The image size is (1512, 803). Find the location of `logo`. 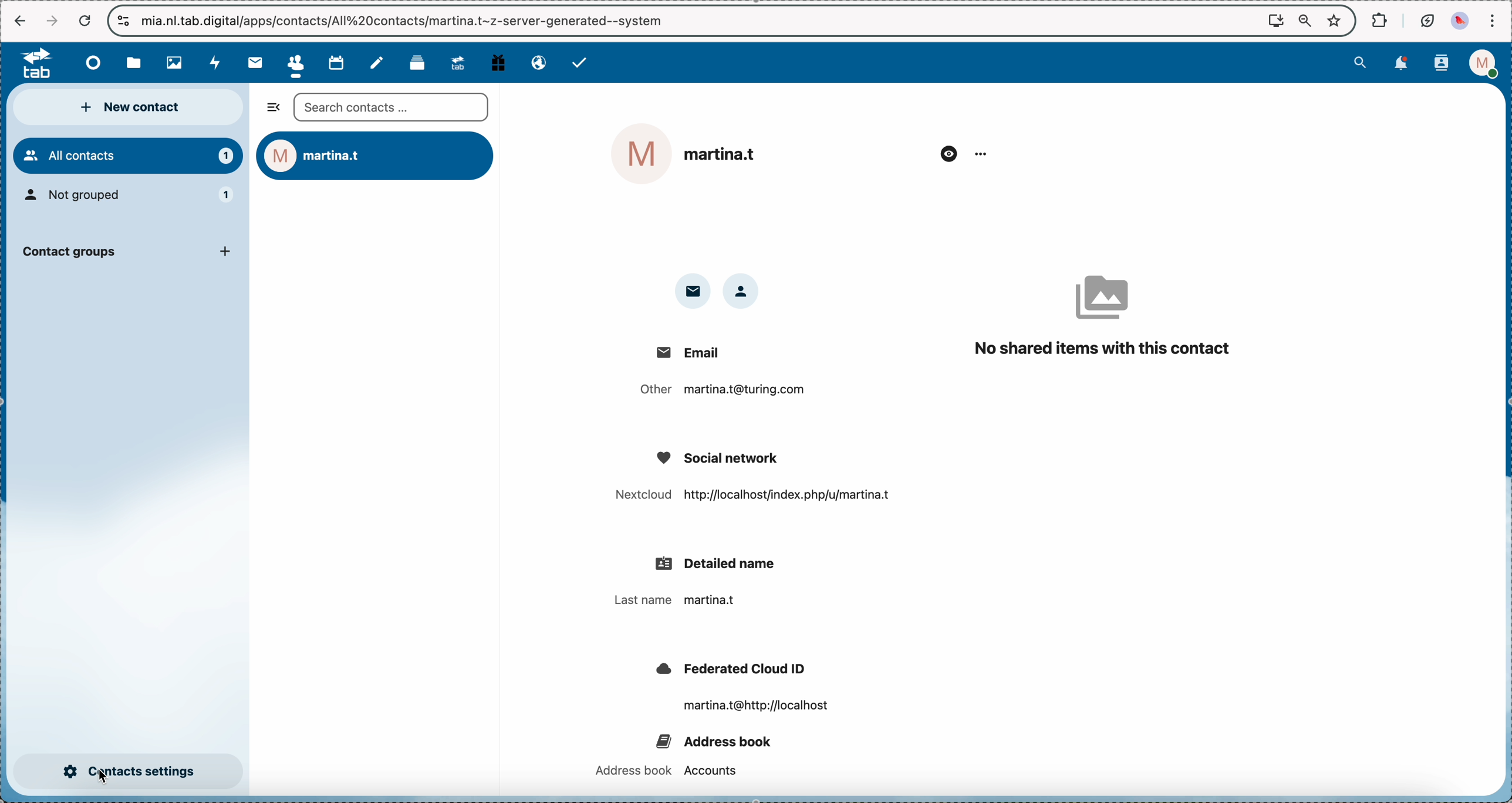

logo is located at coordinates (29, 63).